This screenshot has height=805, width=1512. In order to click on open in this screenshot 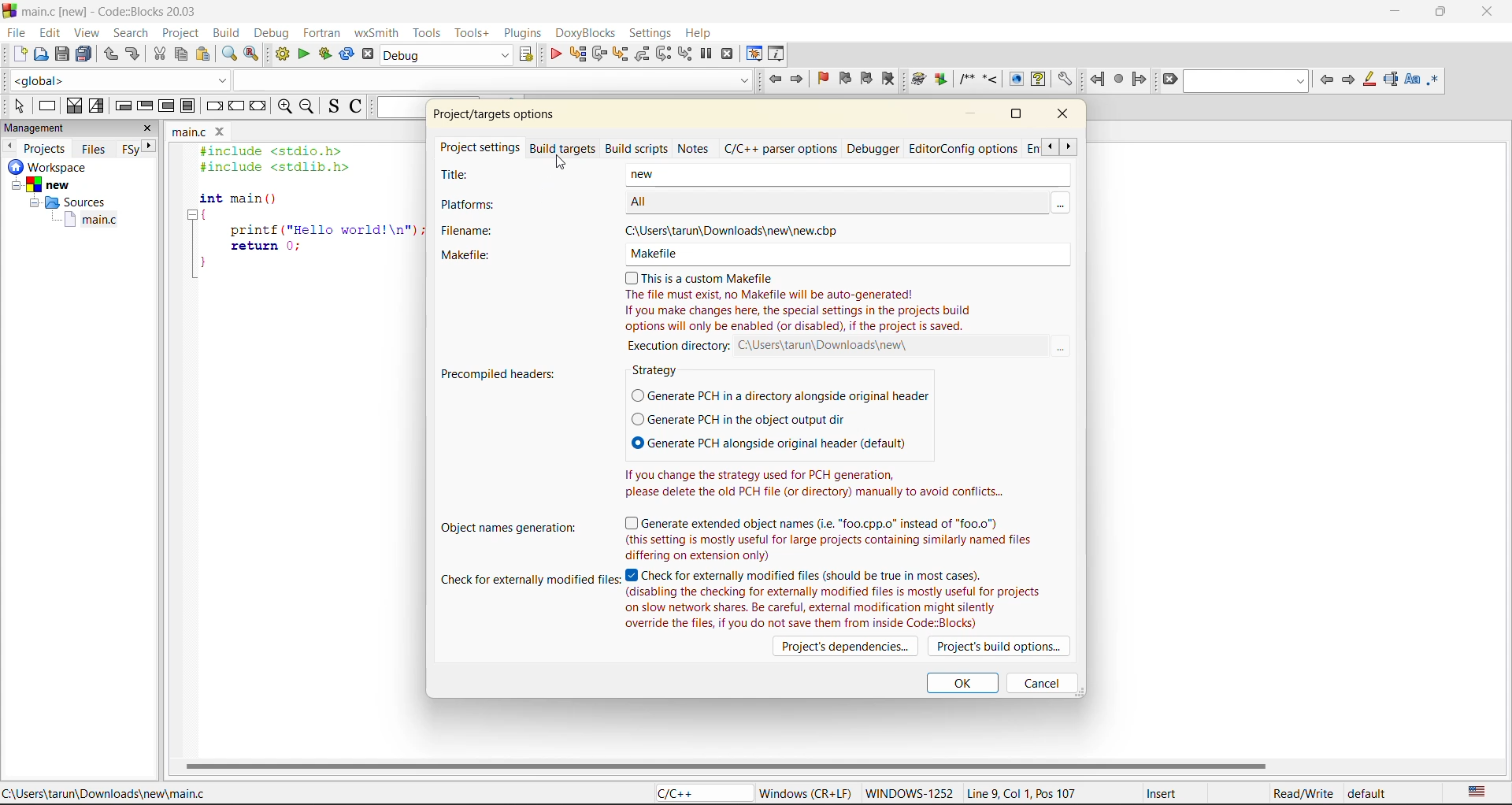, I will do `click(42, 54)`.